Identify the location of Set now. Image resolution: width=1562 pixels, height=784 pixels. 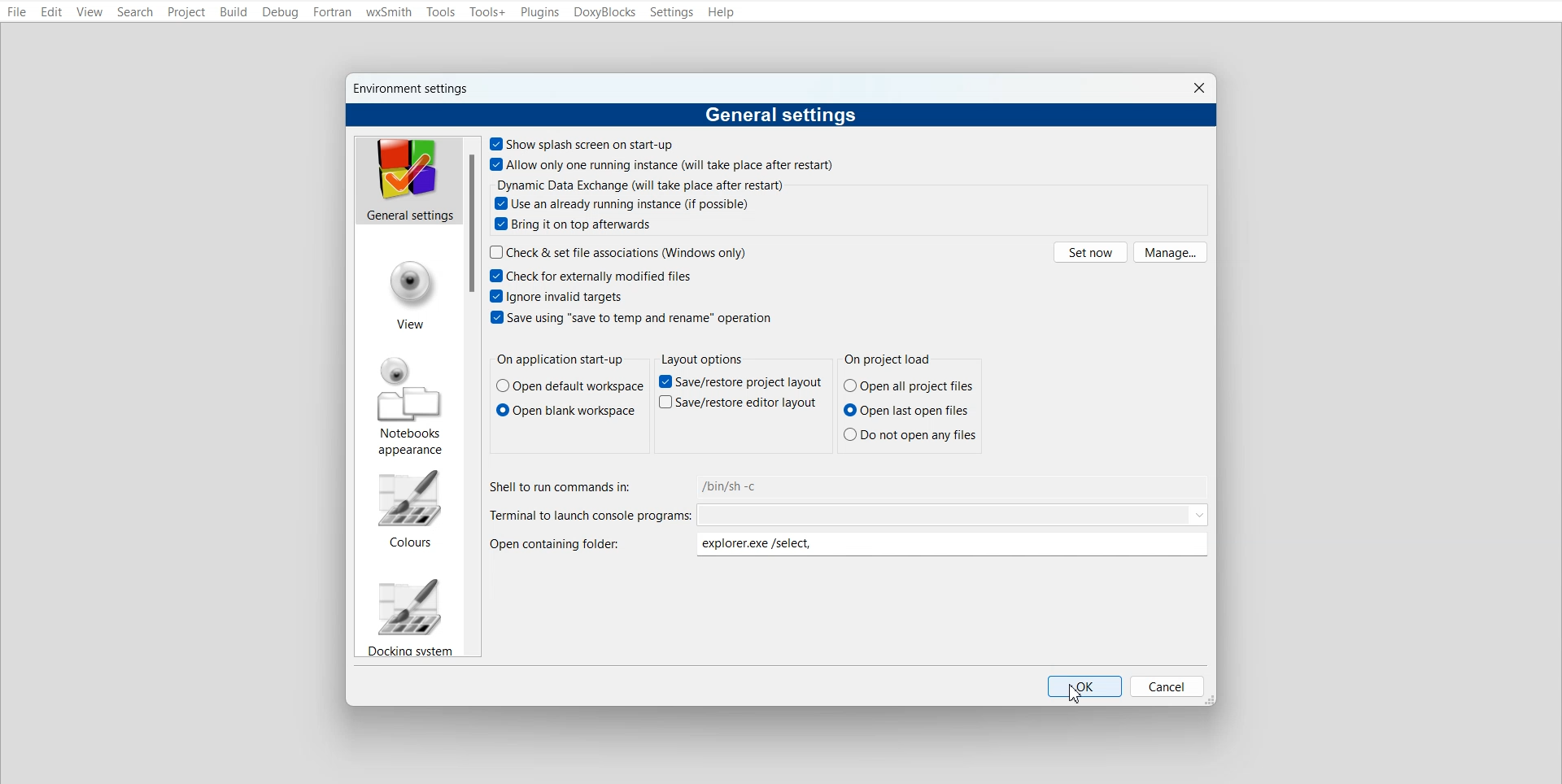
(1090, 251).